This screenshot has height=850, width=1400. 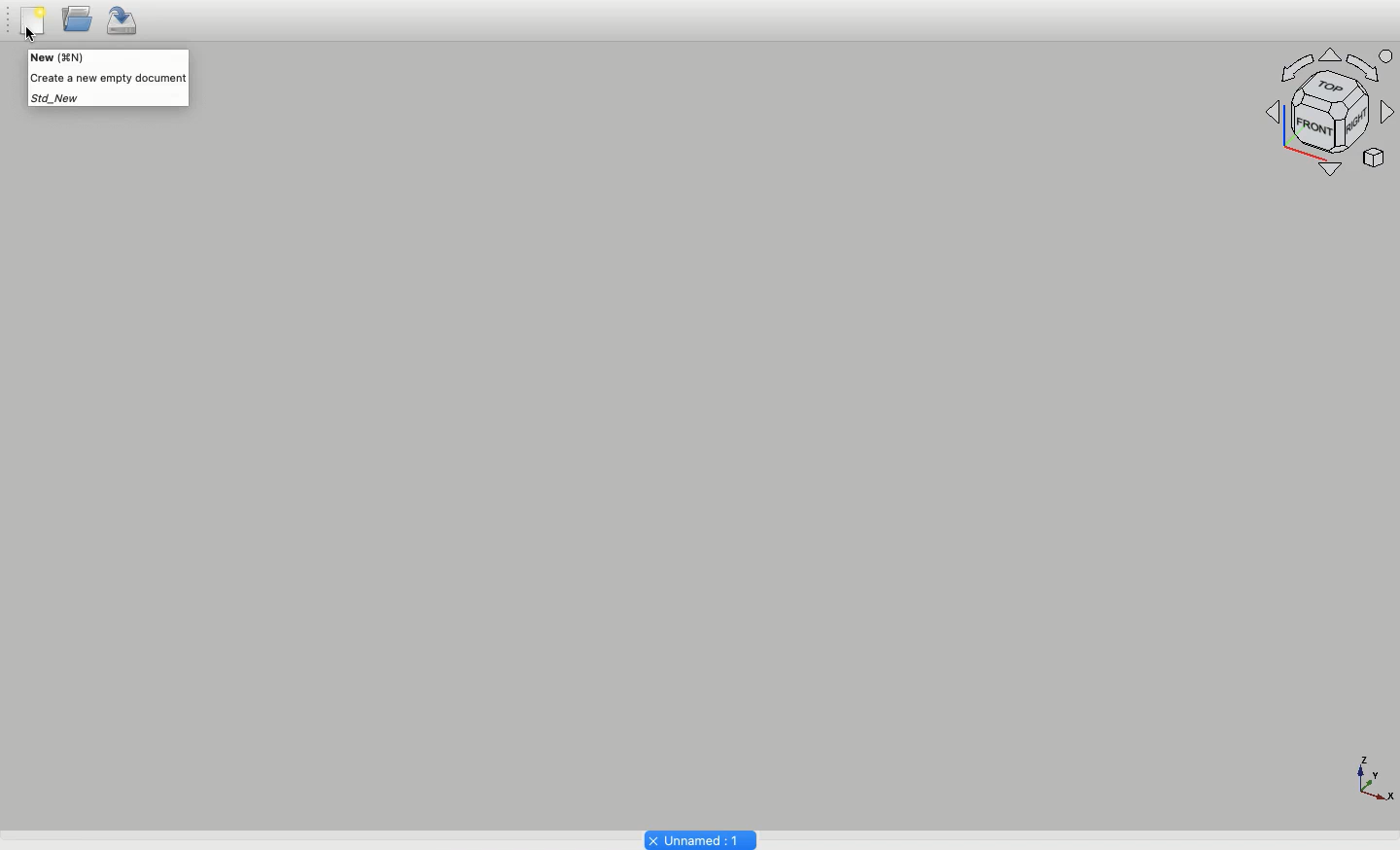 I want to click on Navigation styles, so click(x=1331, y=112).